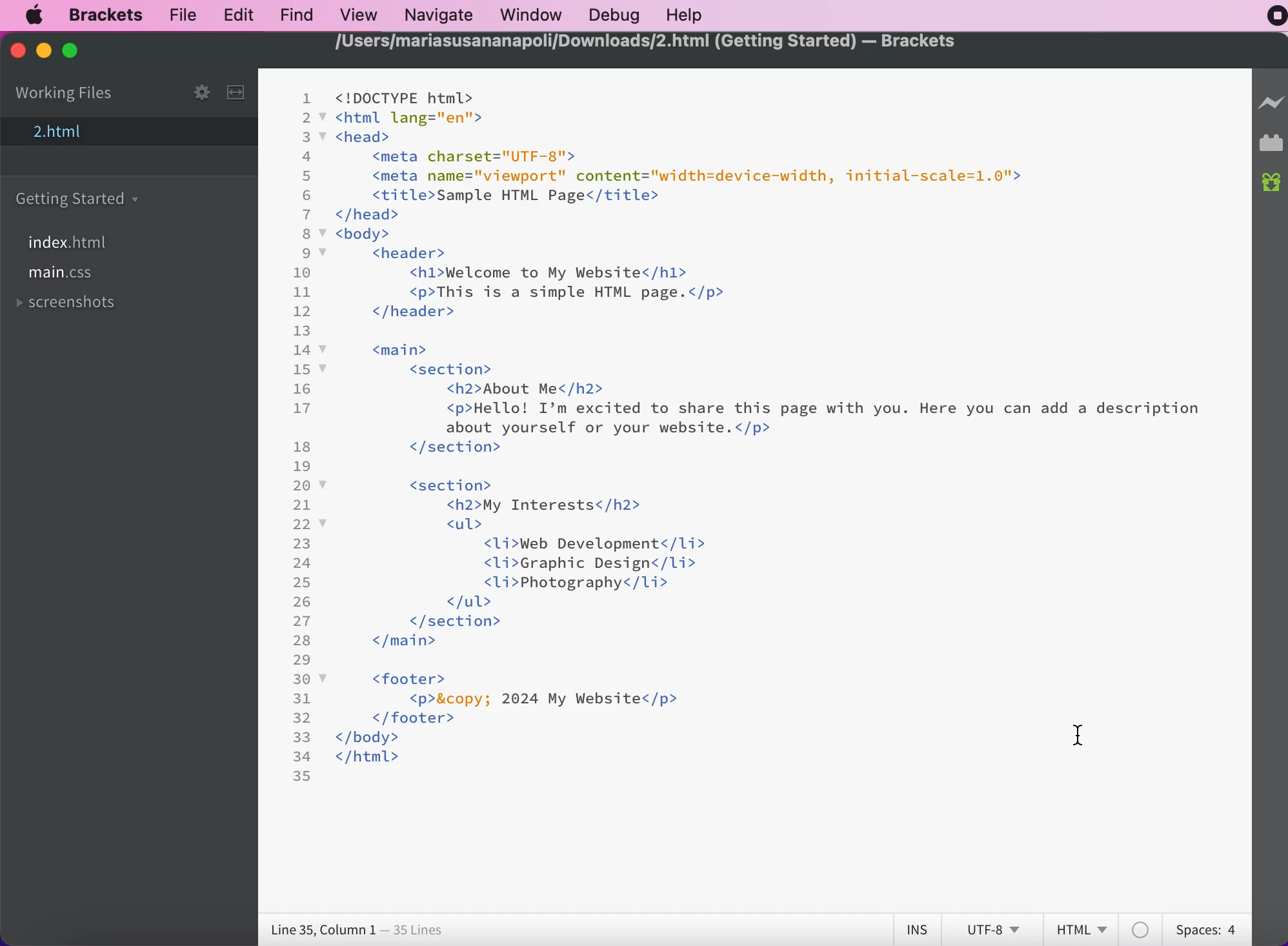 The width and height of the screenshot is (1288, 946). I want to click on 21, so click(302, 505).